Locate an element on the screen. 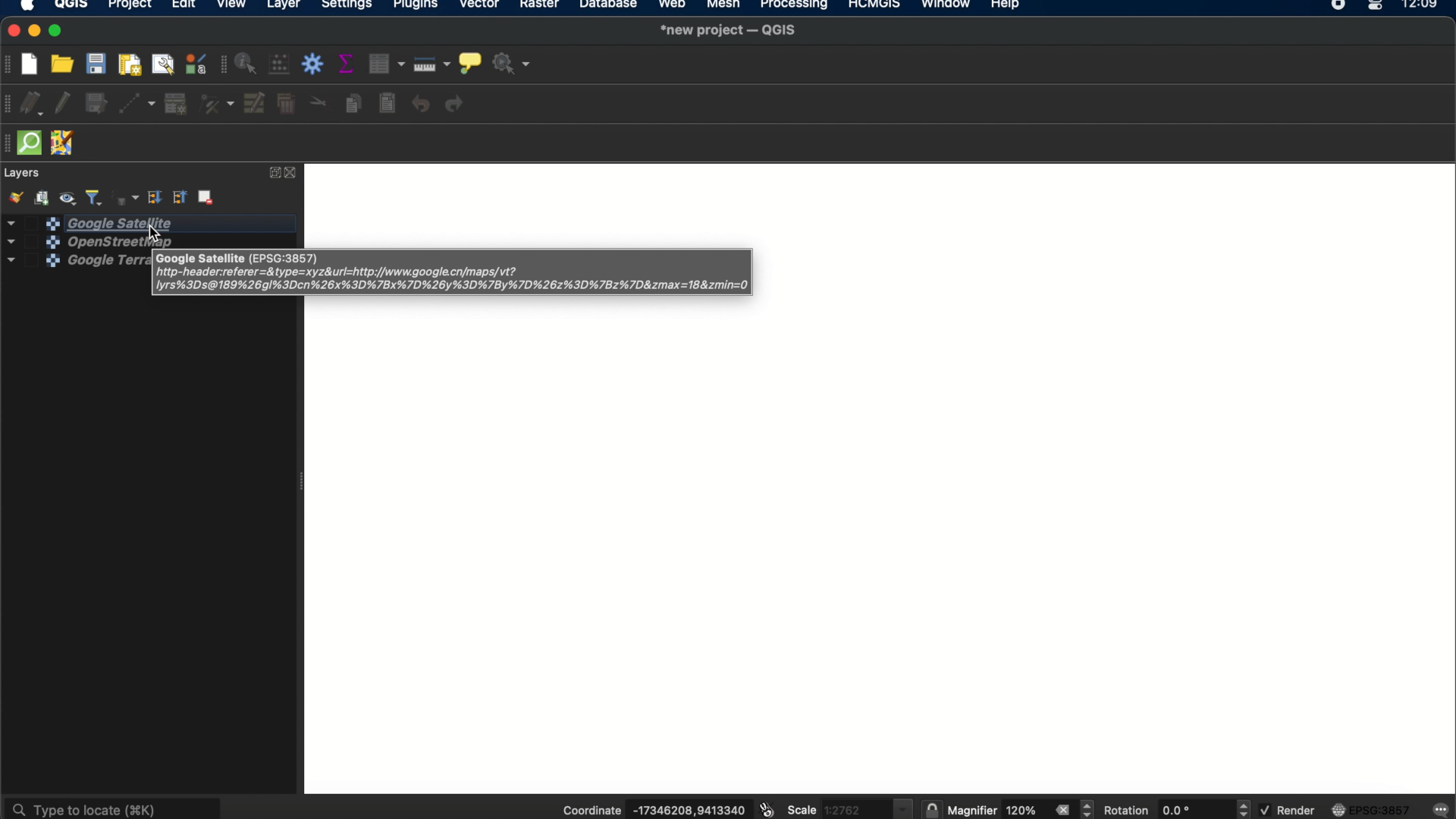  cut features is located at coordinates (318, 102).